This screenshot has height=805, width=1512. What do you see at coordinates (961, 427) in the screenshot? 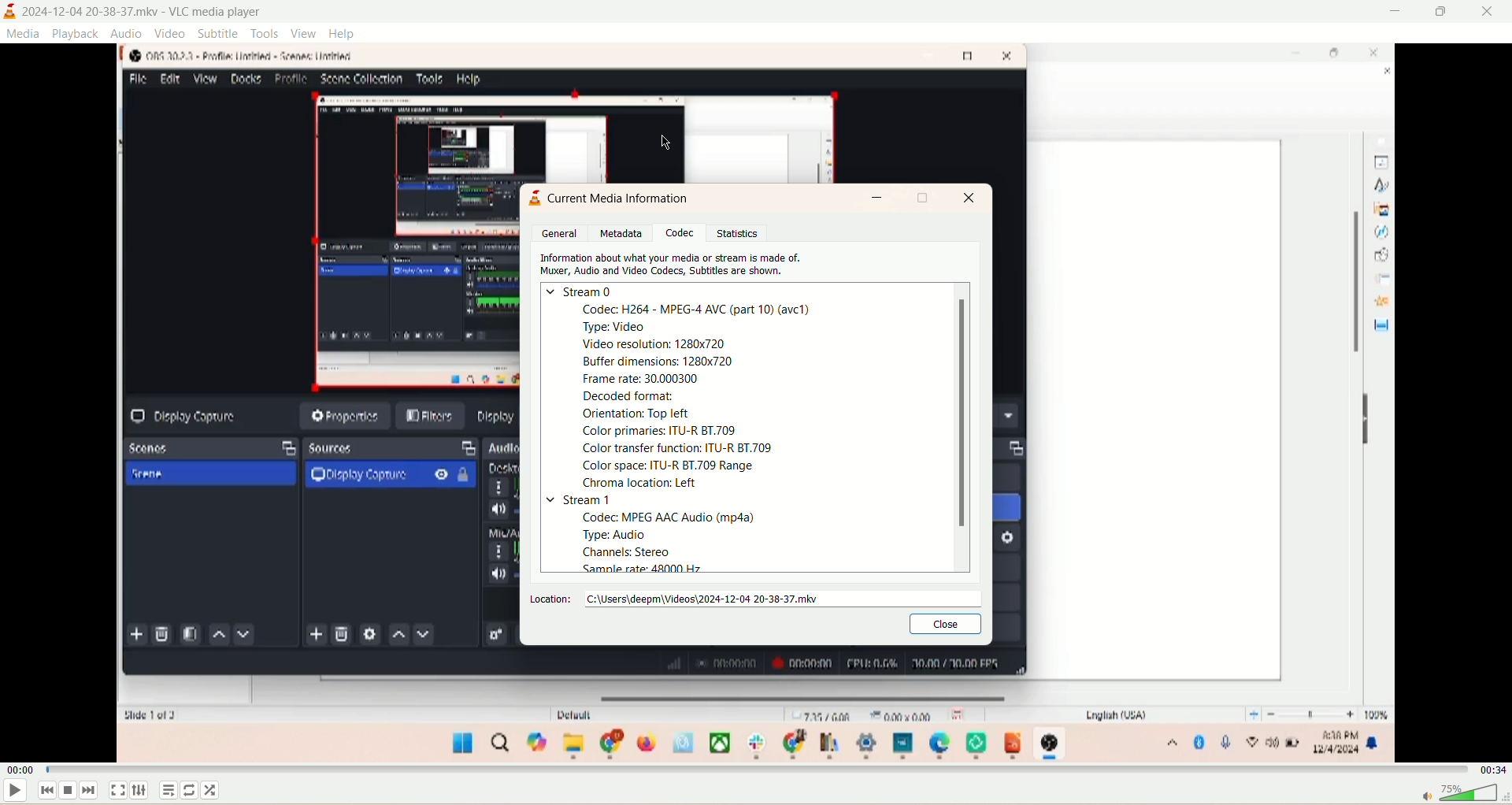
I see `vertical scroll bar` at bounding box center [961, 427].